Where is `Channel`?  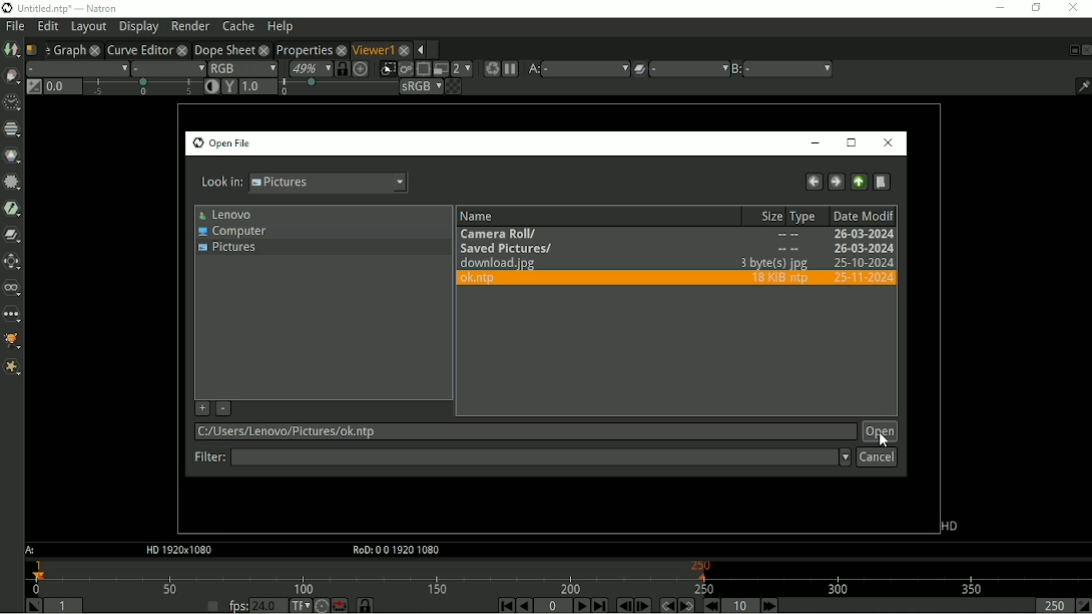 Channel is located at coordinates (12, 130).